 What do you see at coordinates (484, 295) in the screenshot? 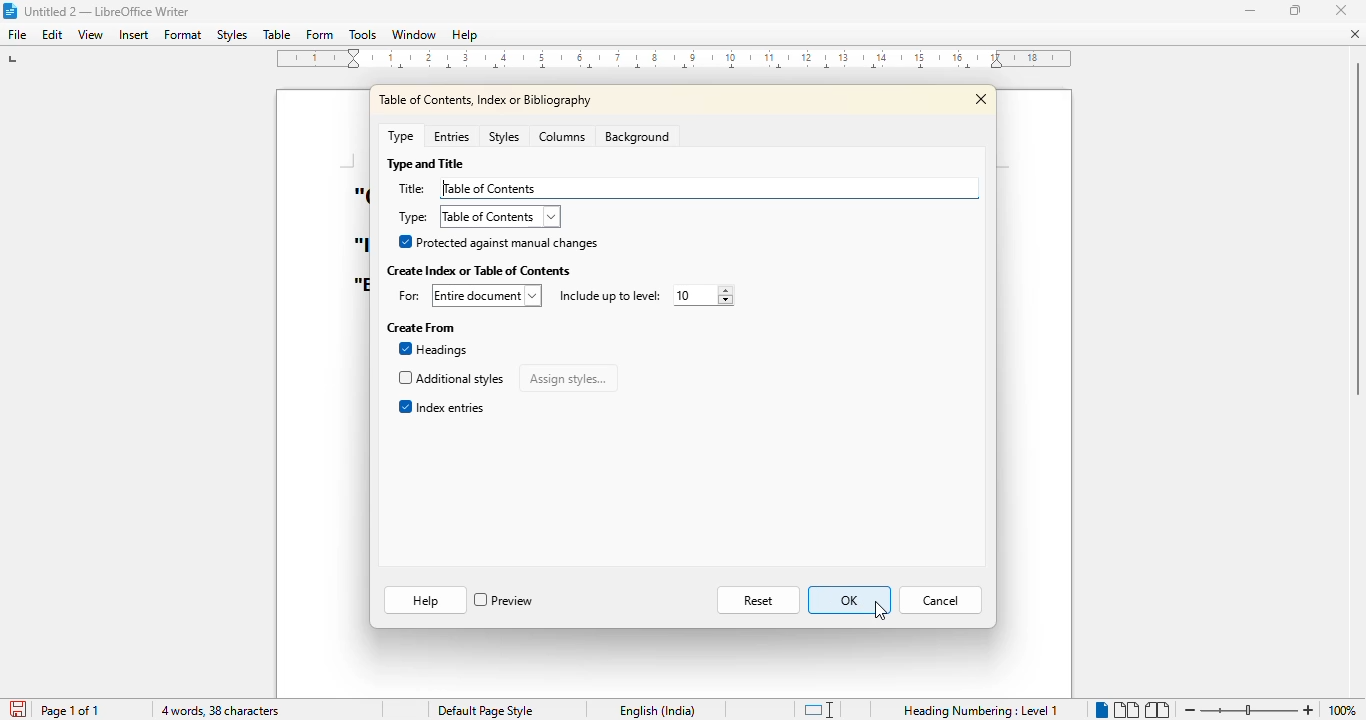
I see `Create index for options` at bounding box center [484, 295].